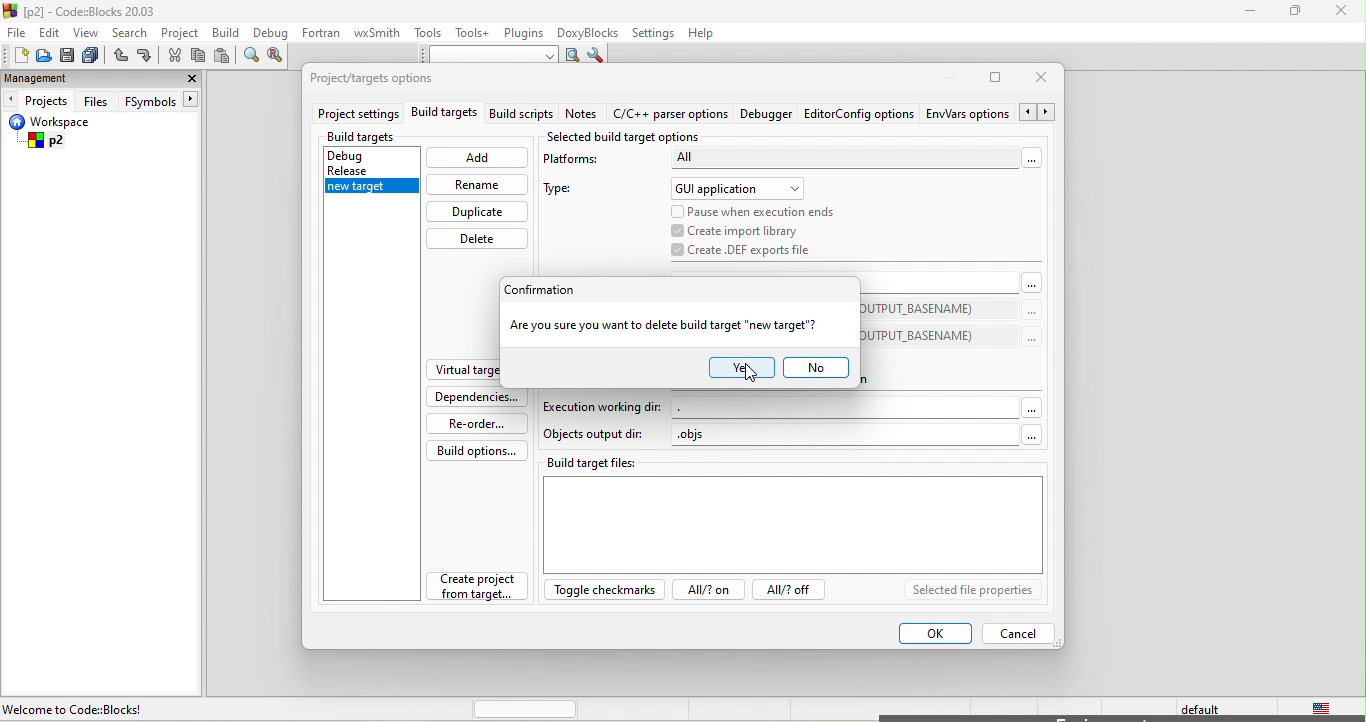 The image size is (1366, 722). What do you see at coordinates (189, 78) in the screenshot?
I see `close` at bounding box center [189, 78].